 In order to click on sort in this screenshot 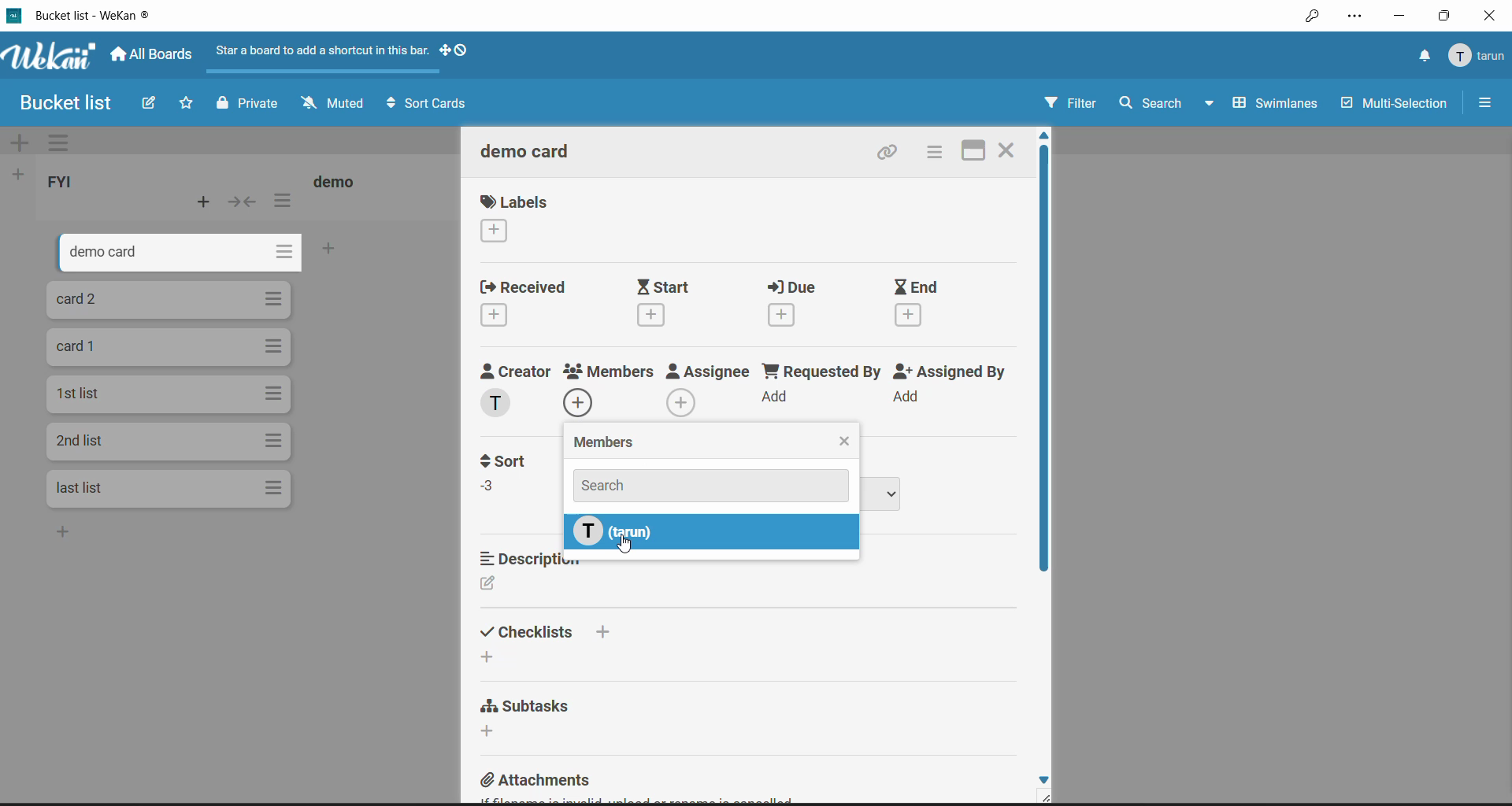, I will do `click(510, 462)`.